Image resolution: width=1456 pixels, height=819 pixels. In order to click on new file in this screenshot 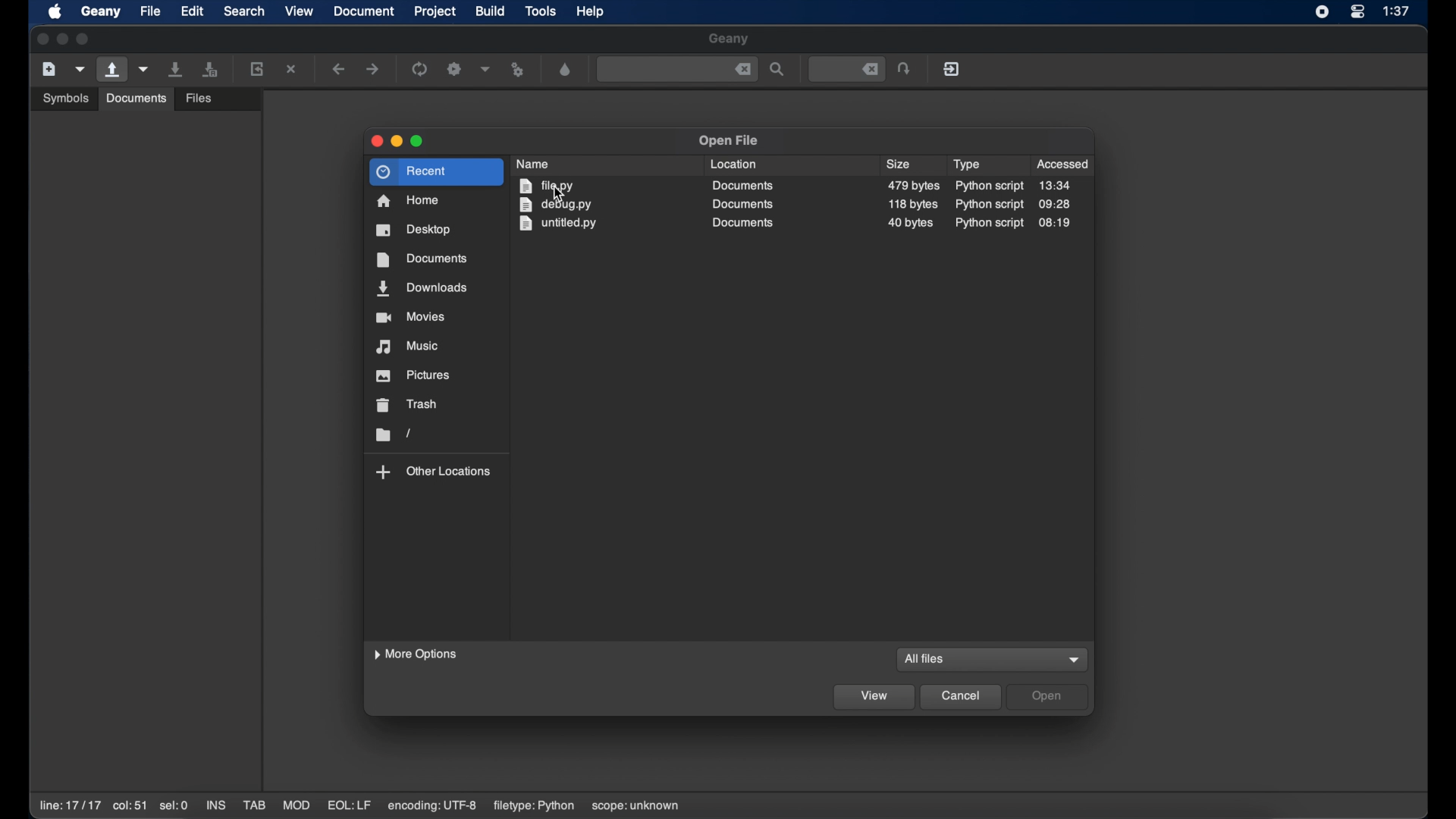, I will do `click(49, 68)`.